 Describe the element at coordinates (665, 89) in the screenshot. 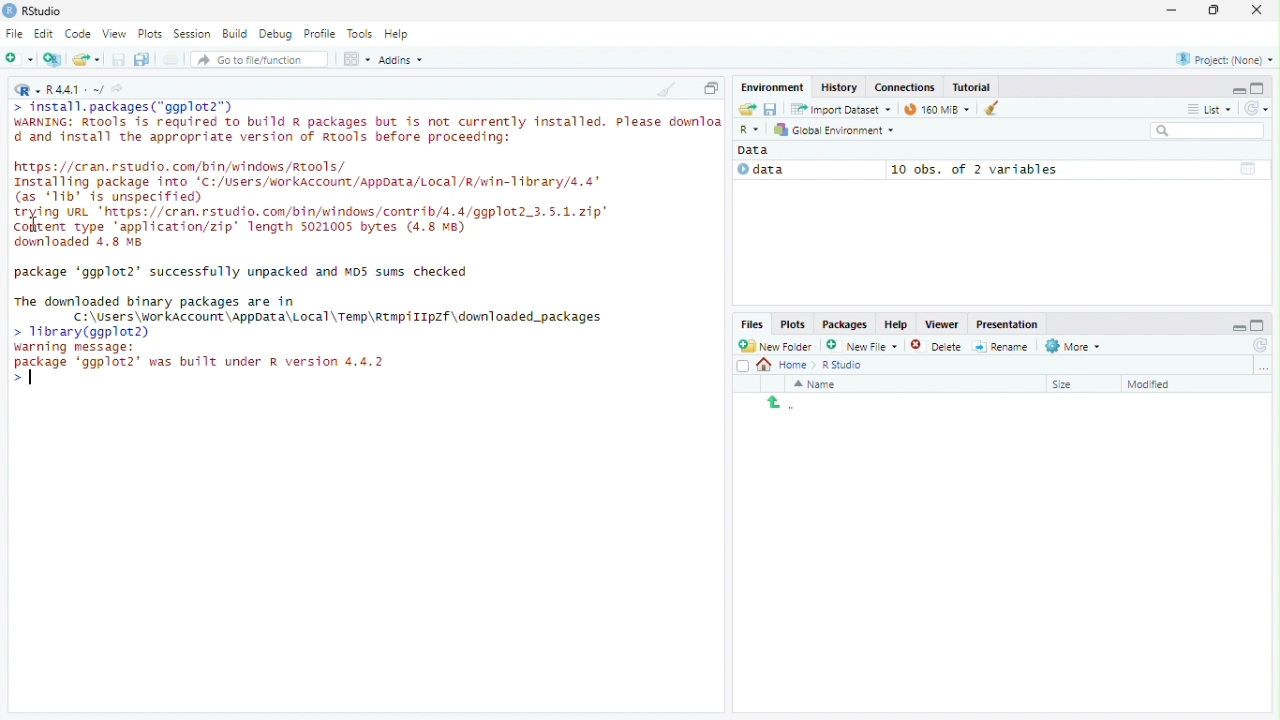

I see `Clear console` at that location.